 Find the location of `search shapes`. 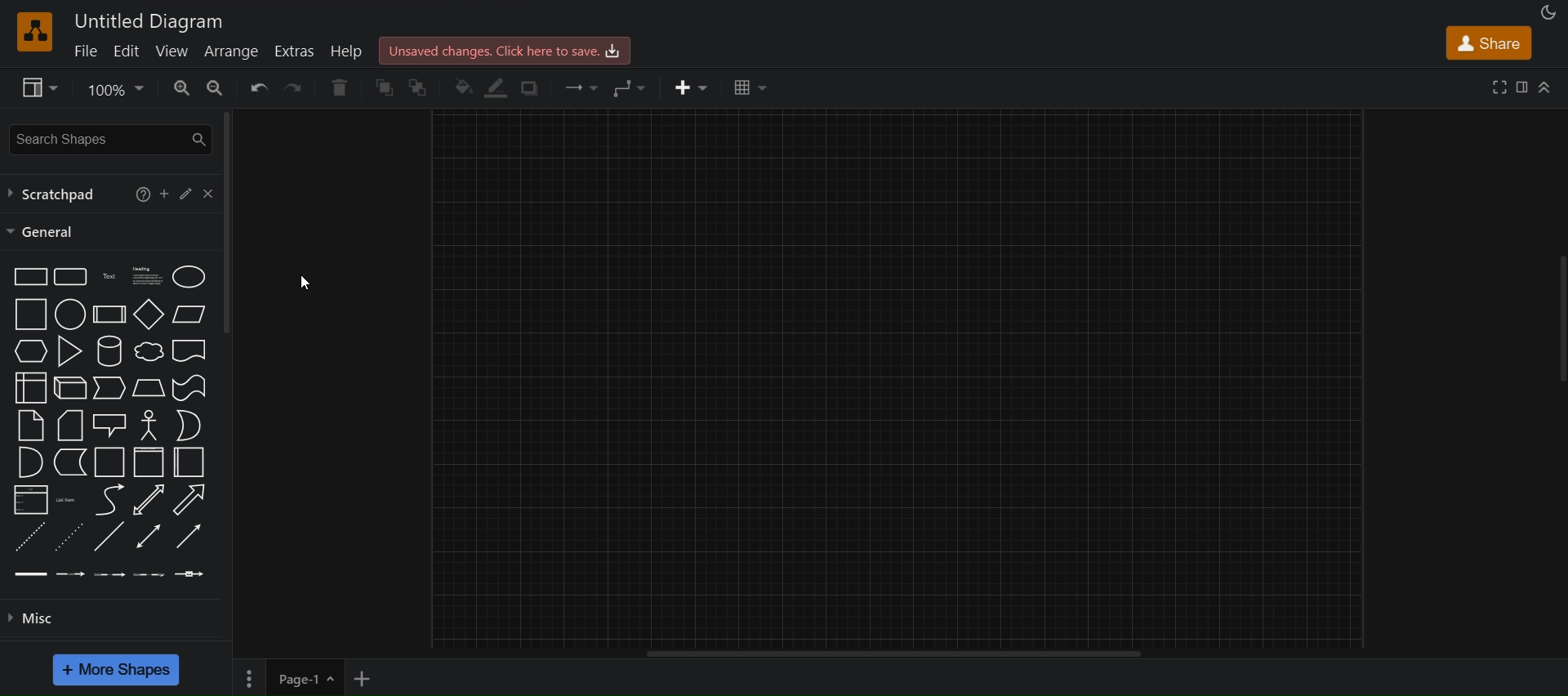

search shapes is located at coordinates (108, 140).